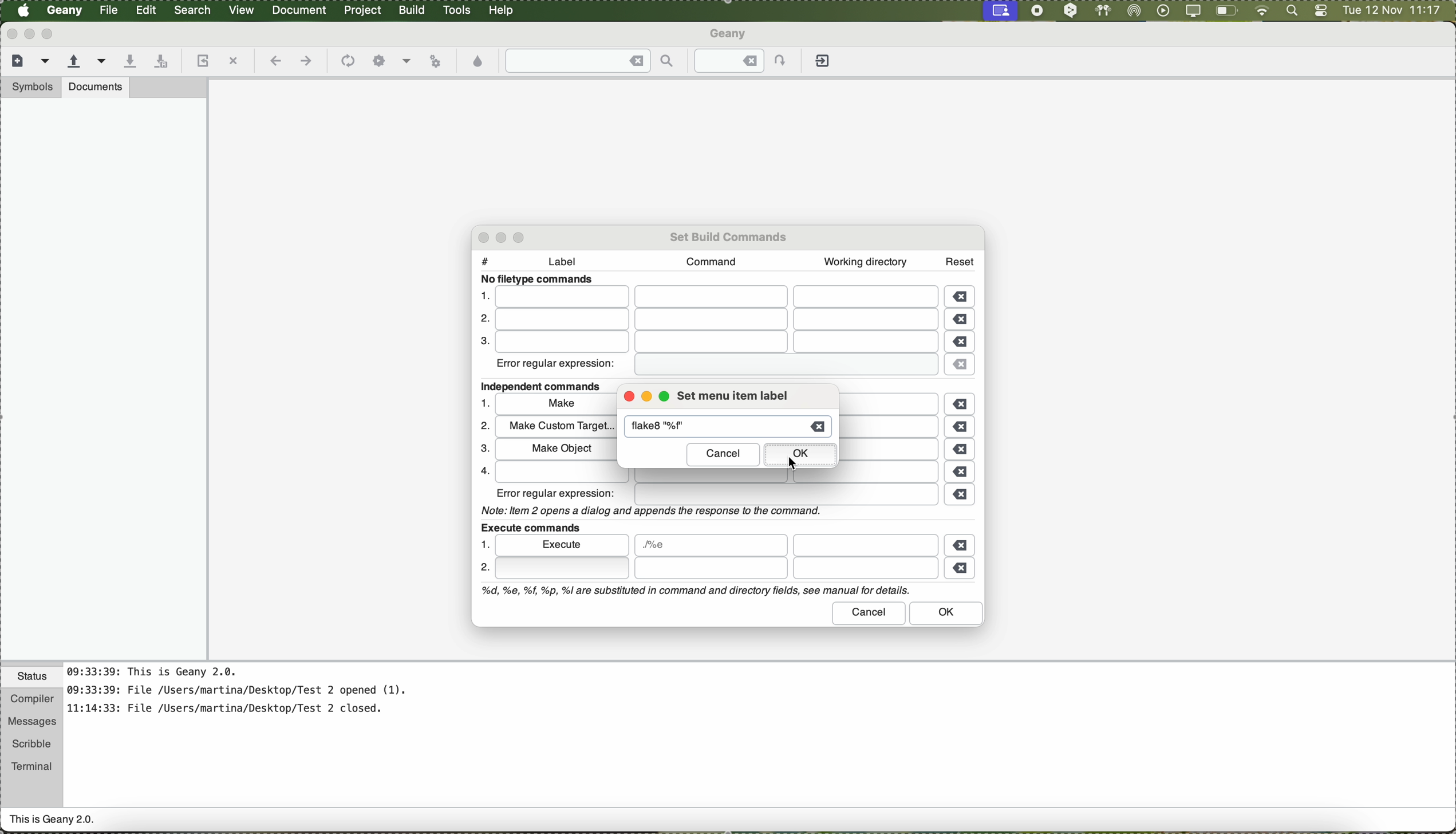 Image resolution: width=1456 pixels, height=834 pixels. Describe the element at coordinates (482, 470) in the screenshot. I see `4` at that location.